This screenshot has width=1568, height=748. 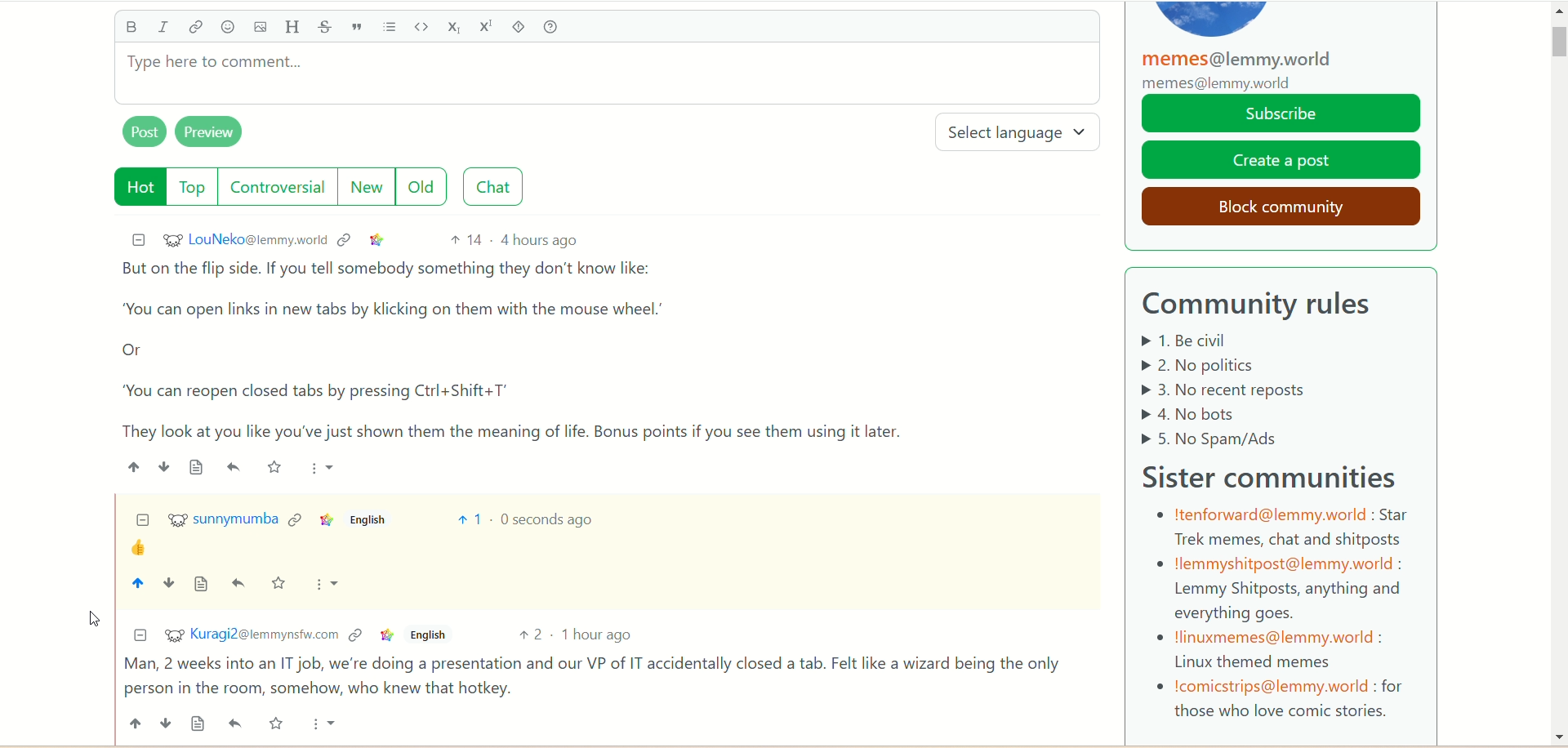 I want to click on english, so click(x=371, y=522).